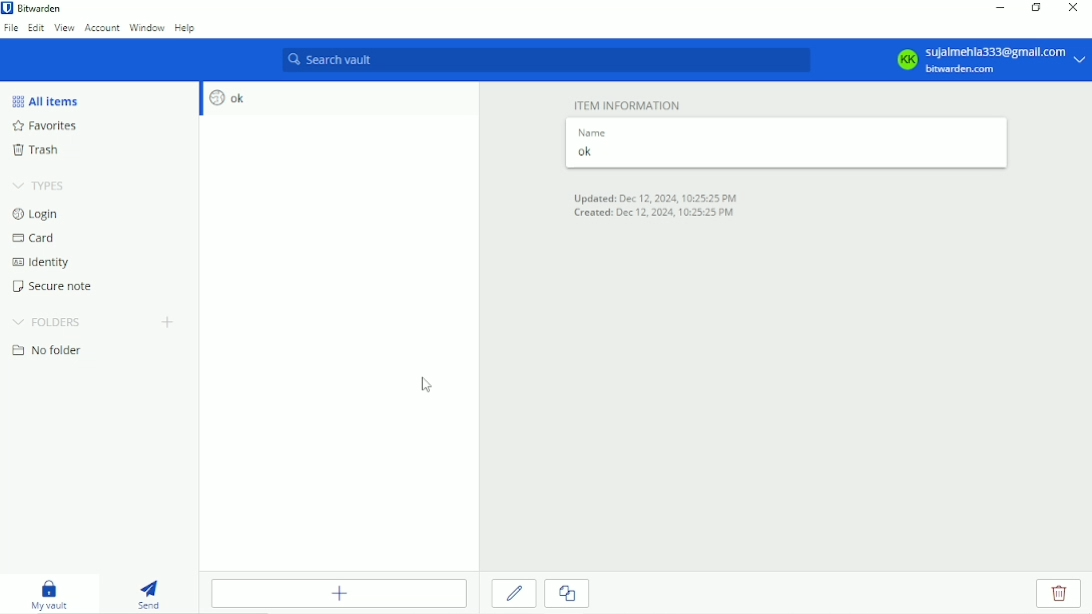 The height and width of the screenshot is (614, 1092). I want to click on Types, so click(40, 187).